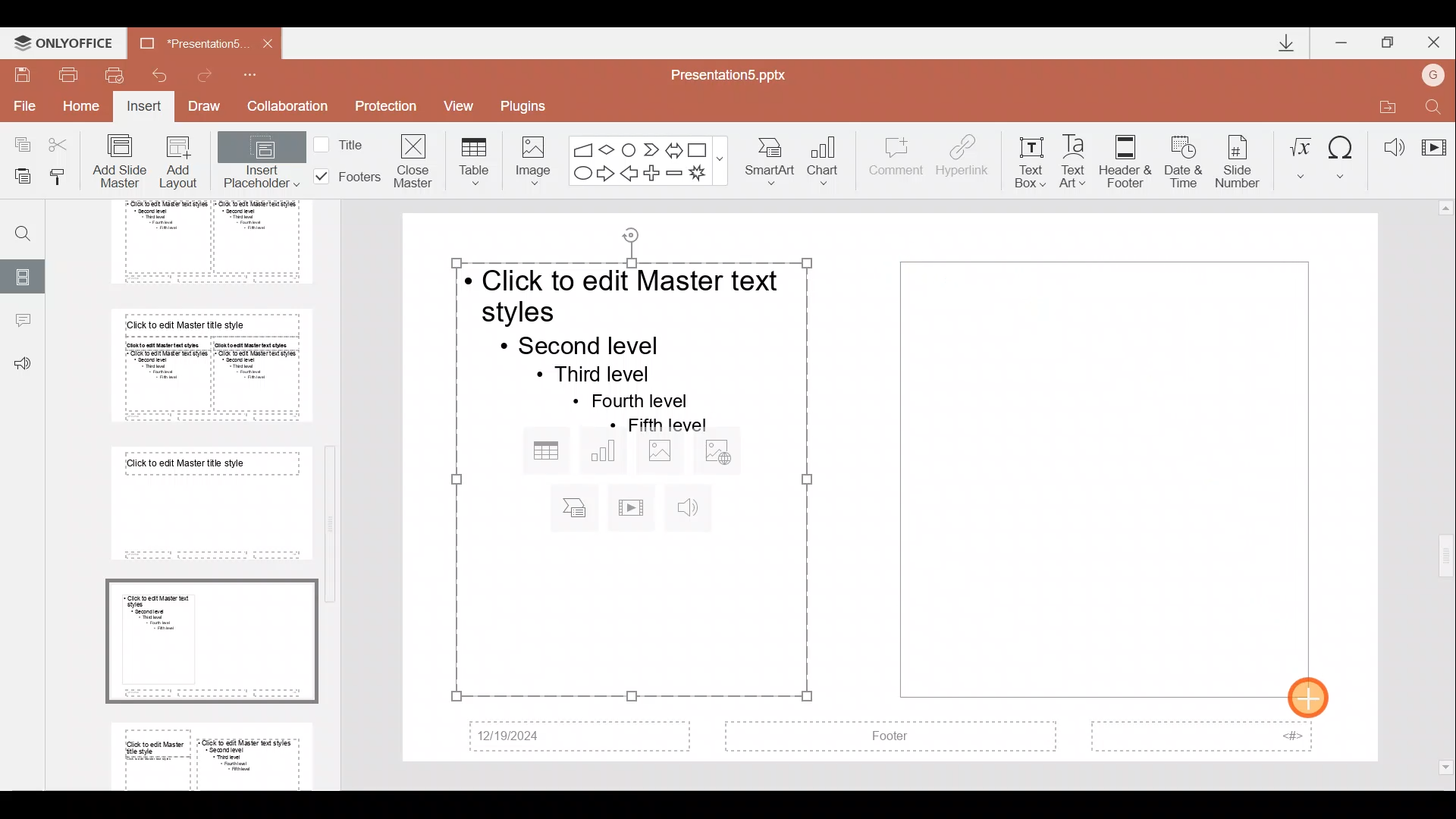 This screenshot has width=1456, height=819. I want to click on Video, so click(1433, 140).